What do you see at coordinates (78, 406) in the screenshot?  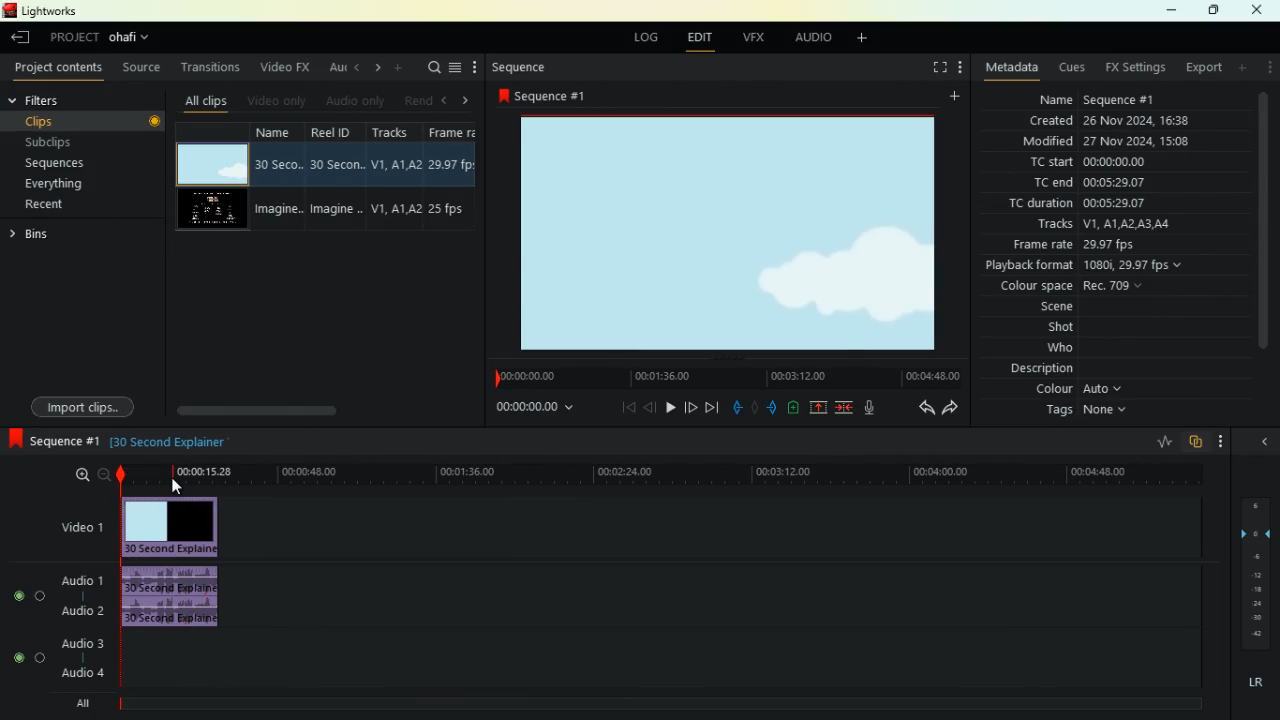 I see `import clips` at bounding box center [78, 406].